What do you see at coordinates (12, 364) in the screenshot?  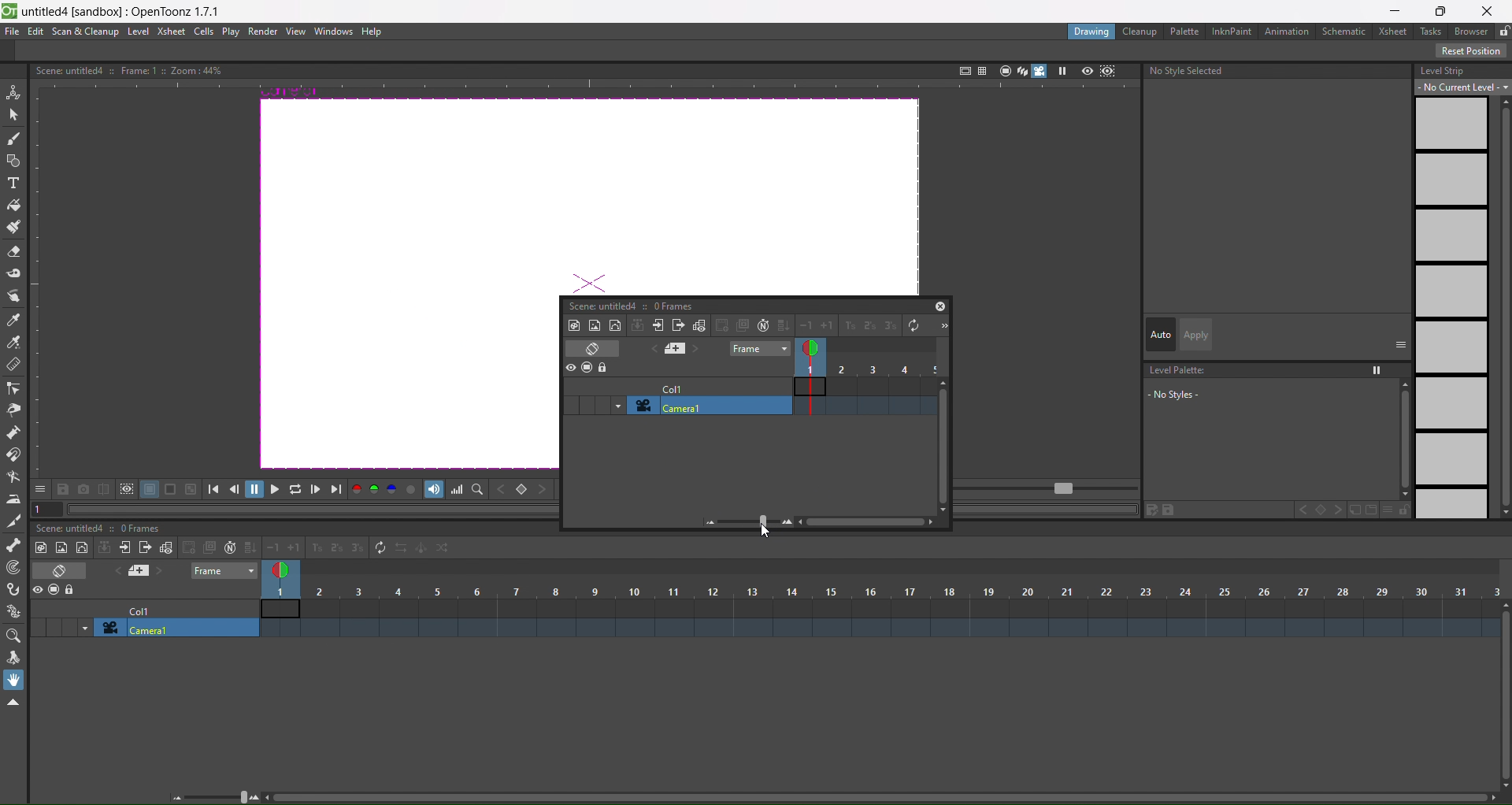 I see `ruler tool` at bounding box center [12, 364].